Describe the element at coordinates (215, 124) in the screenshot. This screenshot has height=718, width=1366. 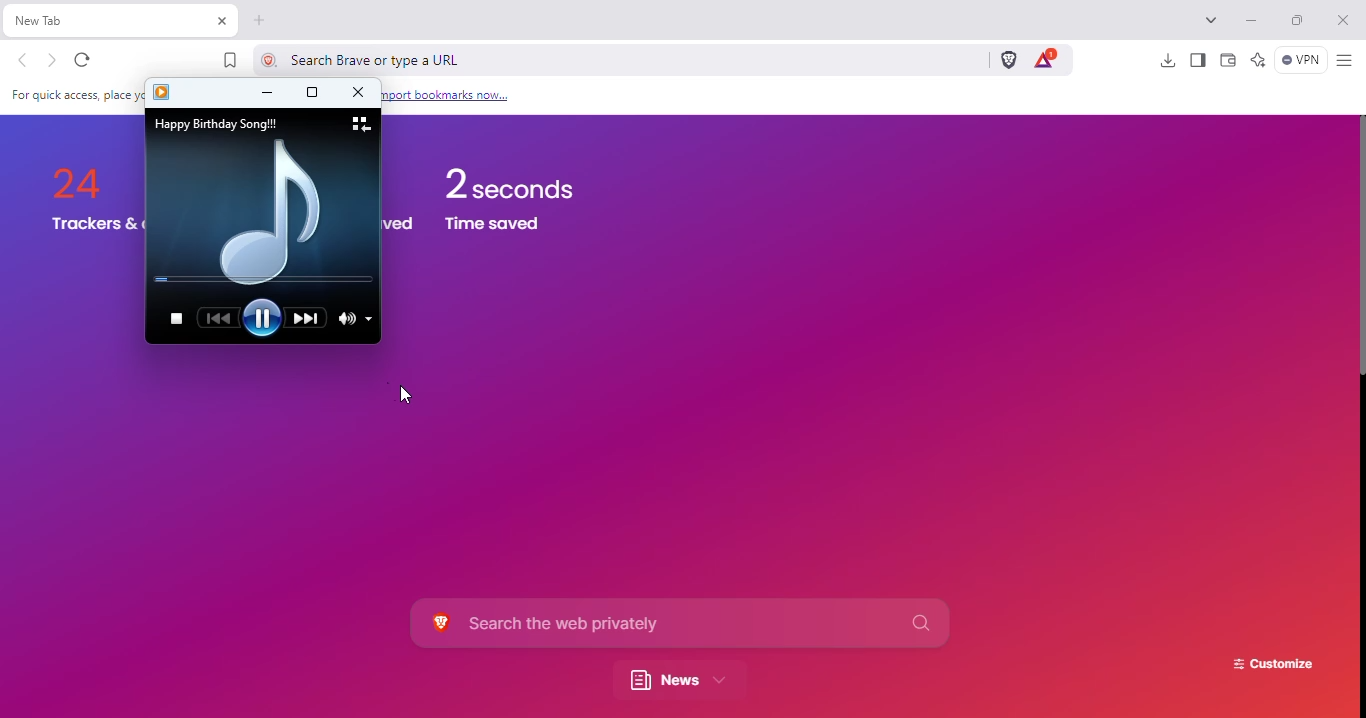
I see `Happy Birthday Song!!!` at that location.